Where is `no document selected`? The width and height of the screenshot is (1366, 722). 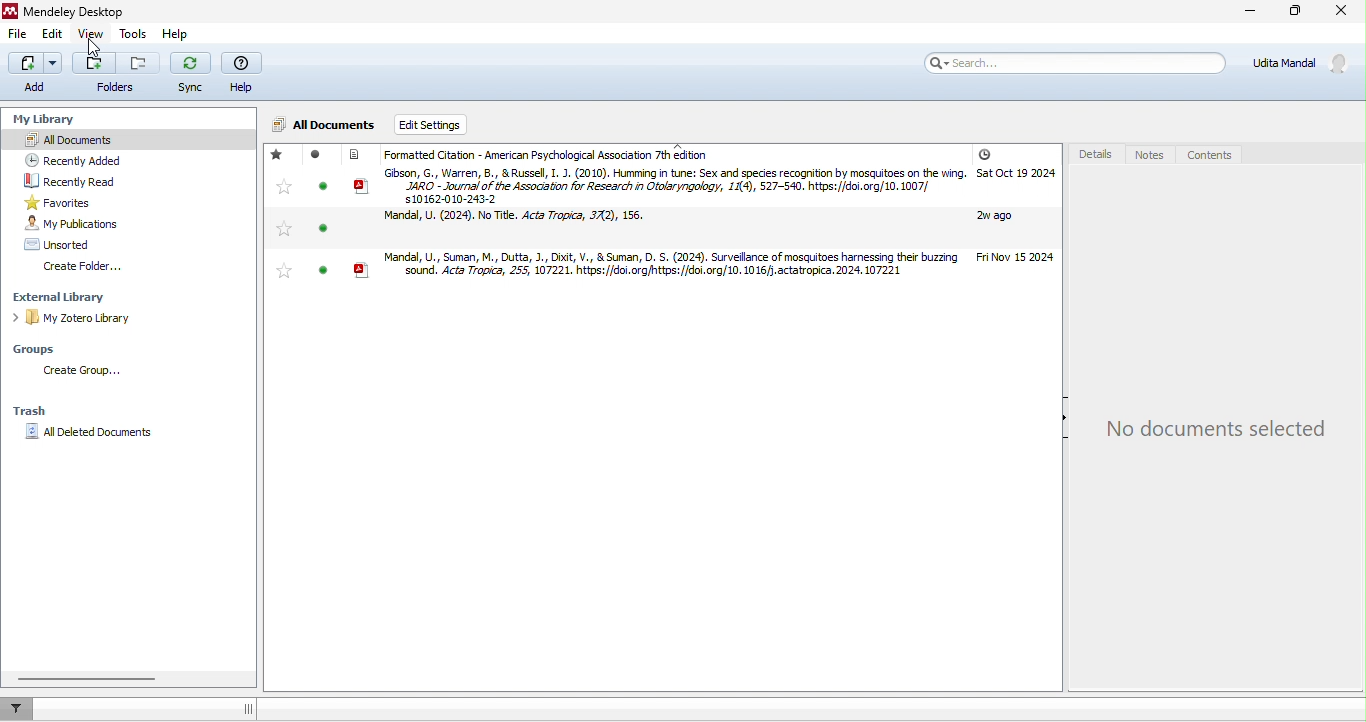
no document selected is located at coordinates (1218, 429).